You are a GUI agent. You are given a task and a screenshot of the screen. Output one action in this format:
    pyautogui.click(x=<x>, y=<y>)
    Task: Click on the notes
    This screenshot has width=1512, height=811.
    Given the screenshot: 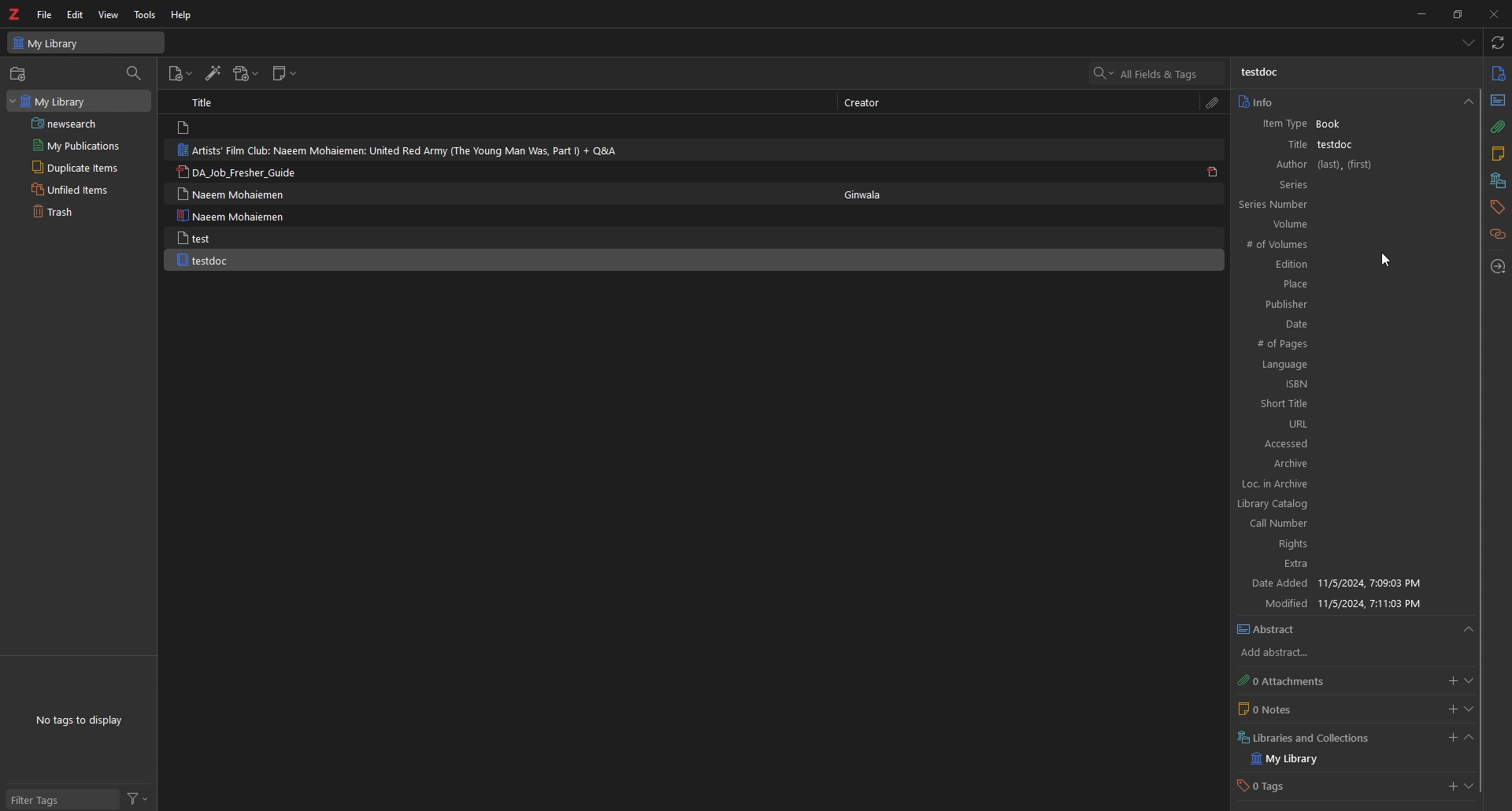 What is the action you would take?
    pyautogui.click(x=1498, y=155)
    